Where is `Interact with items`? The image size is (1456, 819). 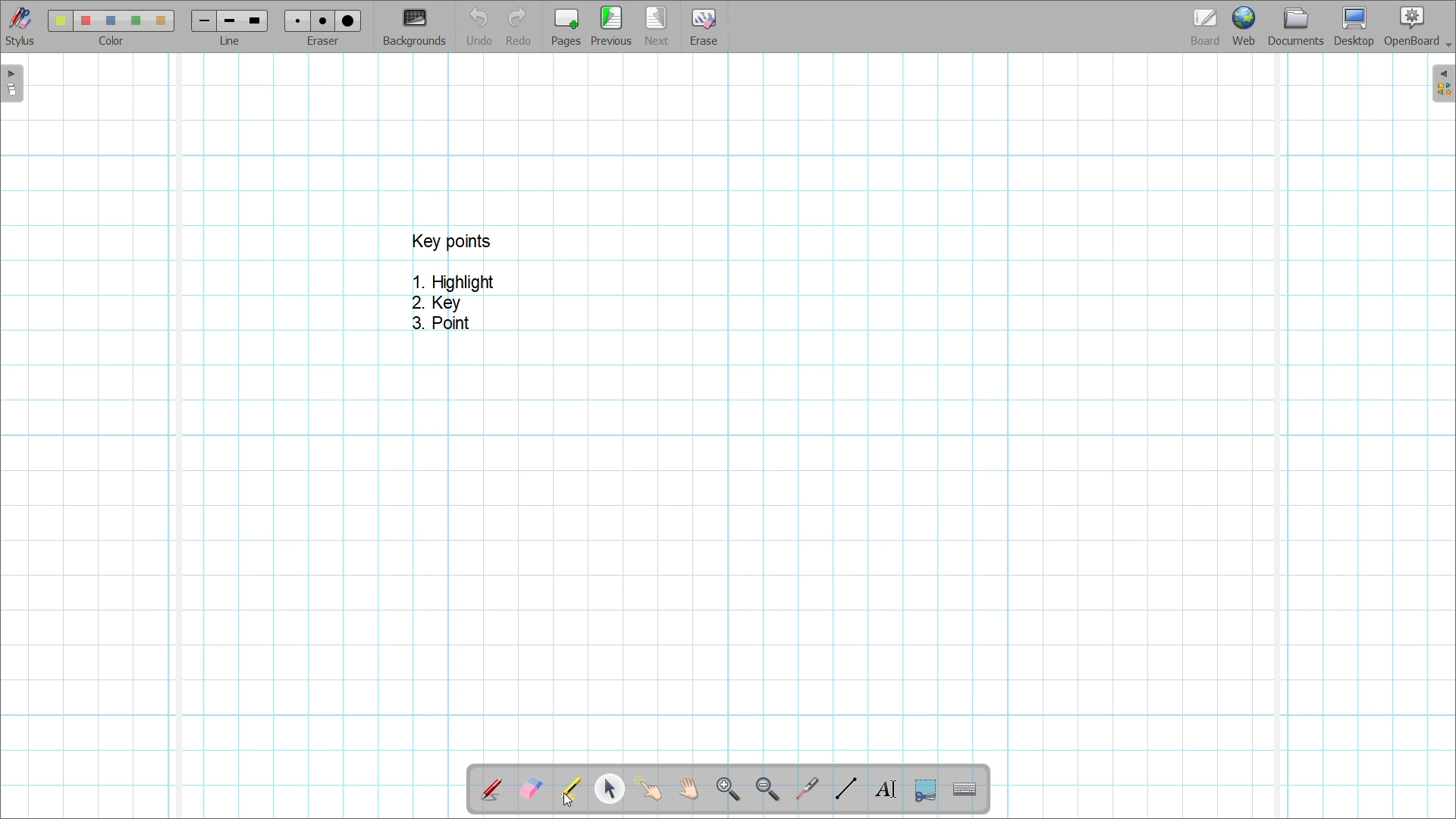
Interact with items is located at coordinates (648, 788).